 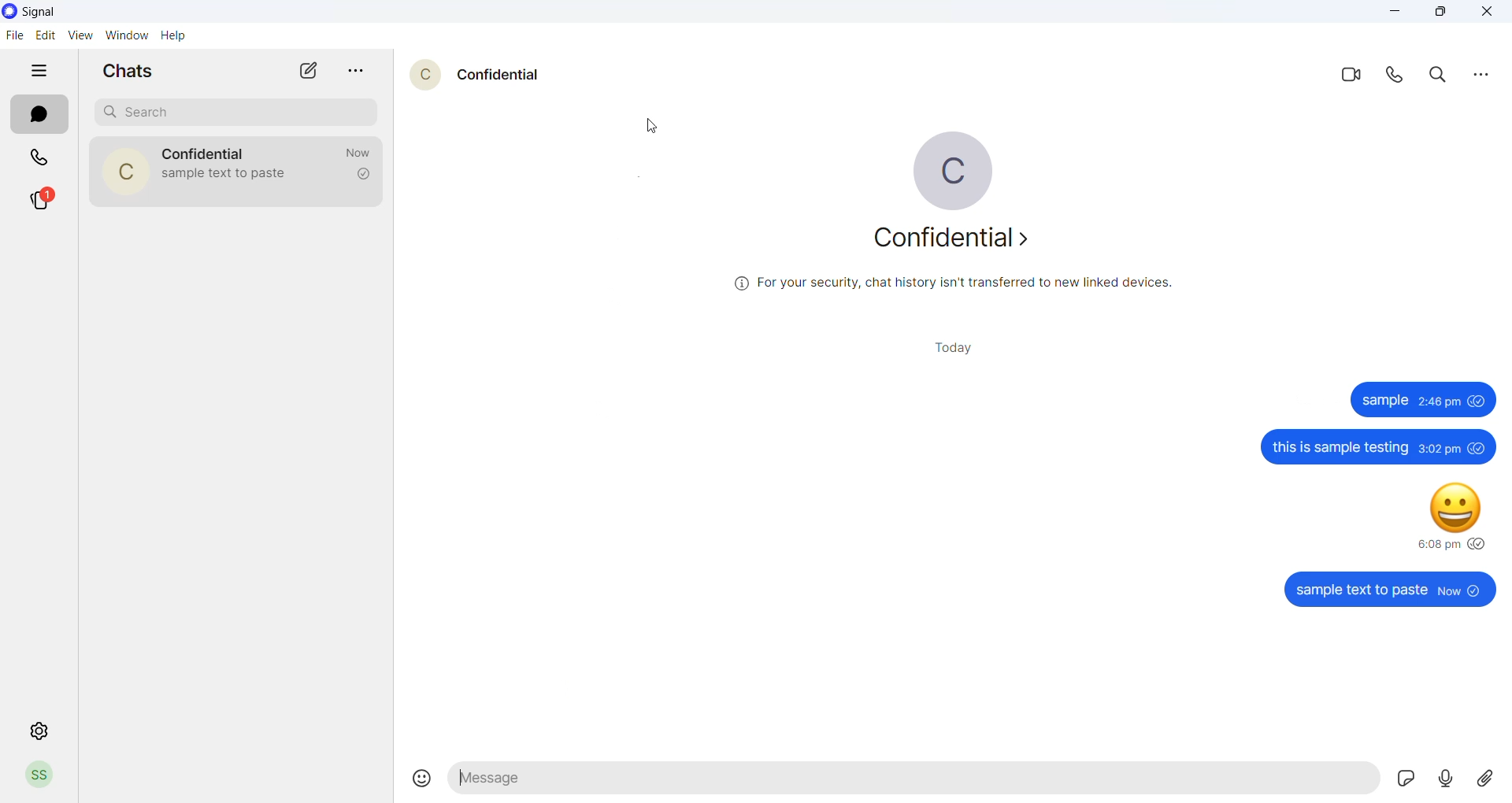 What do you see at coordinates (1492, 779) in the screenshot?
I see `share attachment` at bounding box center [1492, 779].